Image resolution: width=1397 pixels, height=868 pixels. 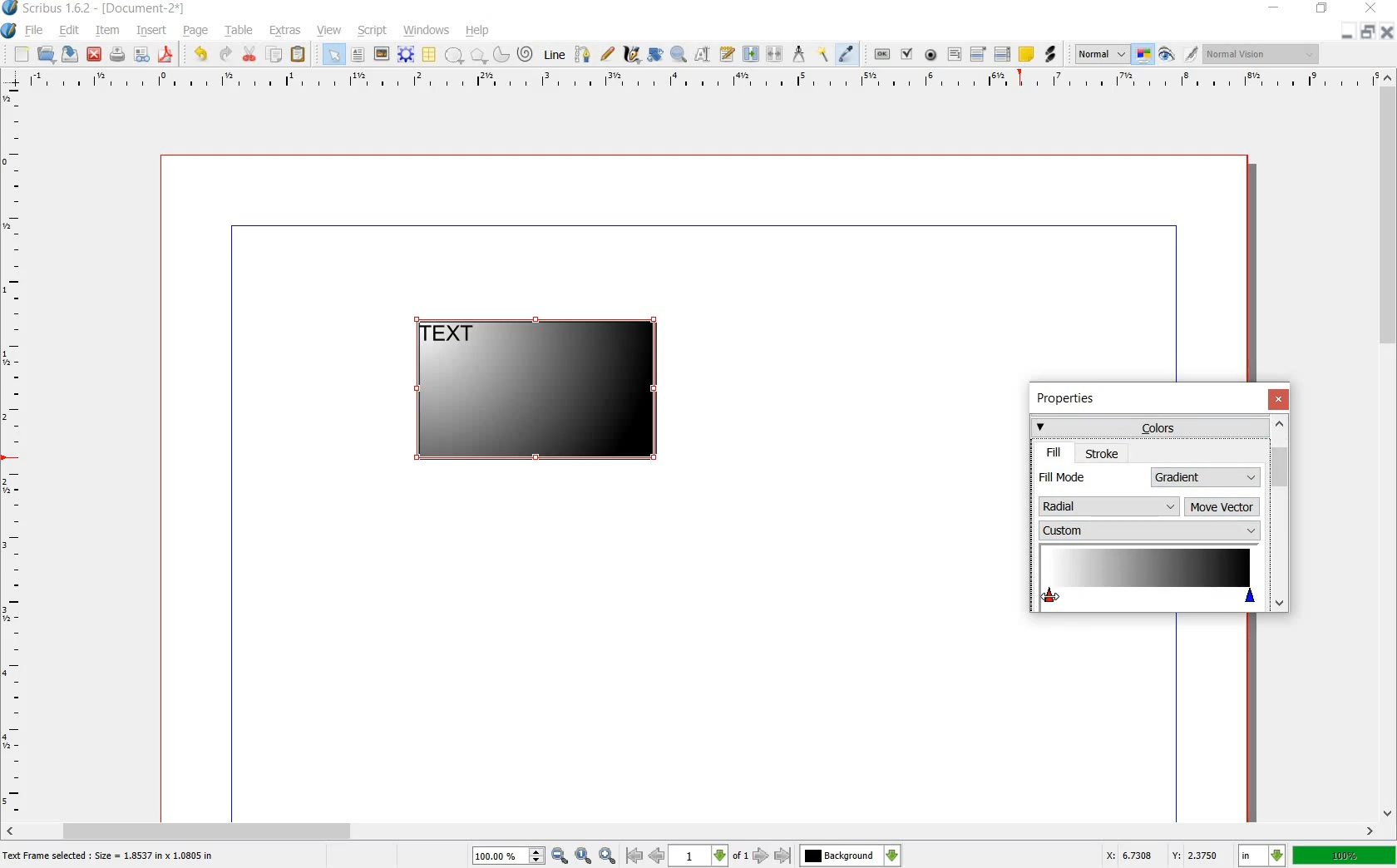 What do you see at coordinates (584, 856) in the screenshot?
I see `zoom to` at bounding box center [584, 856].